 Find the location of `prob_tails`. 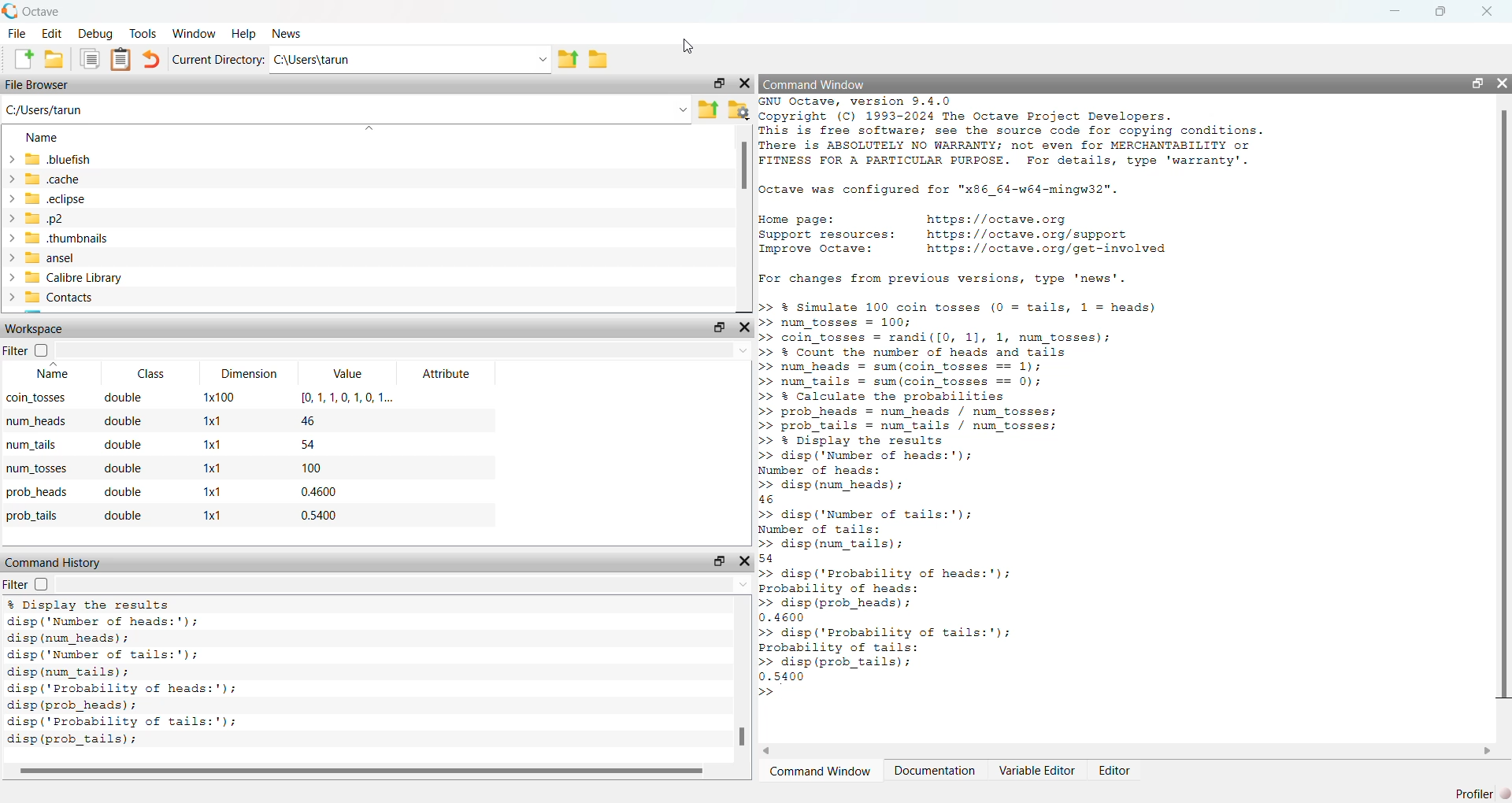

prob_tails is located at coordinates (32, 515).